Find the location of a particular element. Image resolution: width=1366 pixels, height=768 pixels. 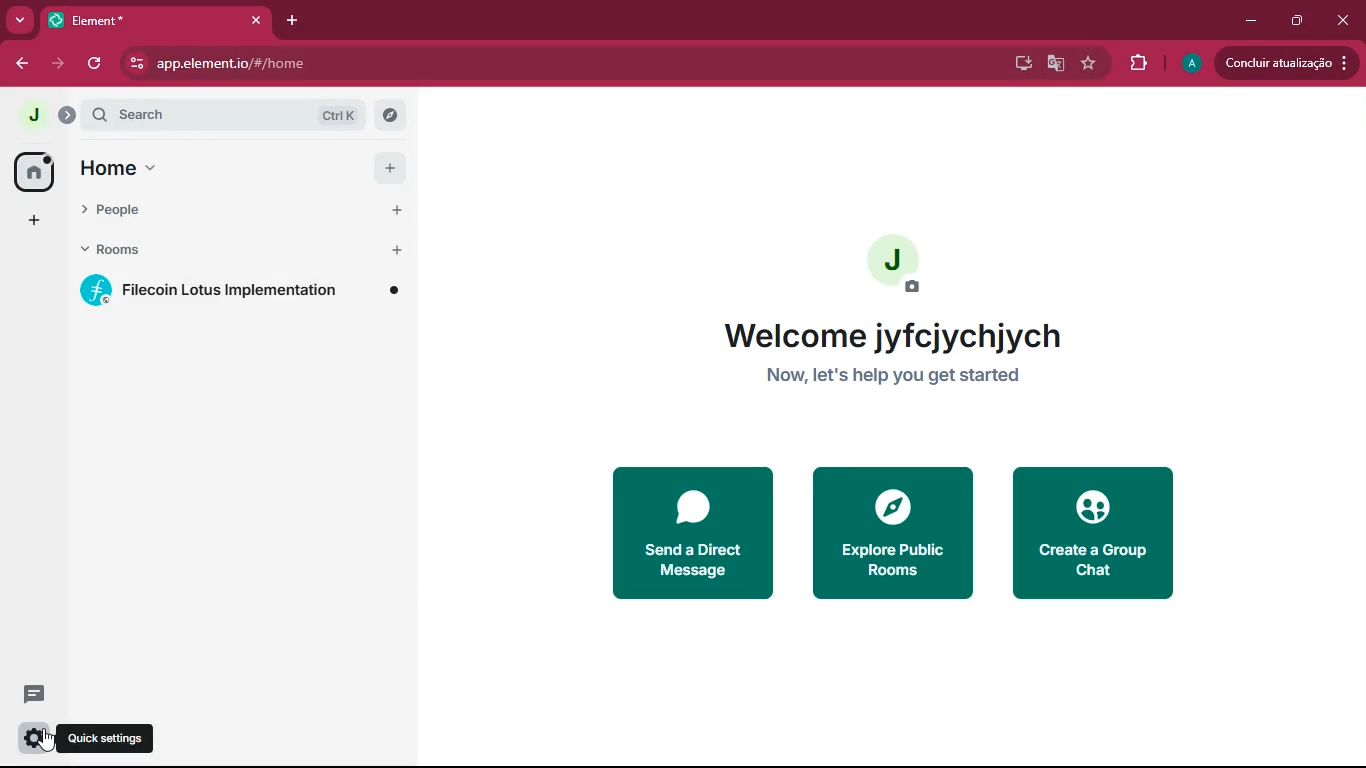

settings is located at coordinates (30, 739).